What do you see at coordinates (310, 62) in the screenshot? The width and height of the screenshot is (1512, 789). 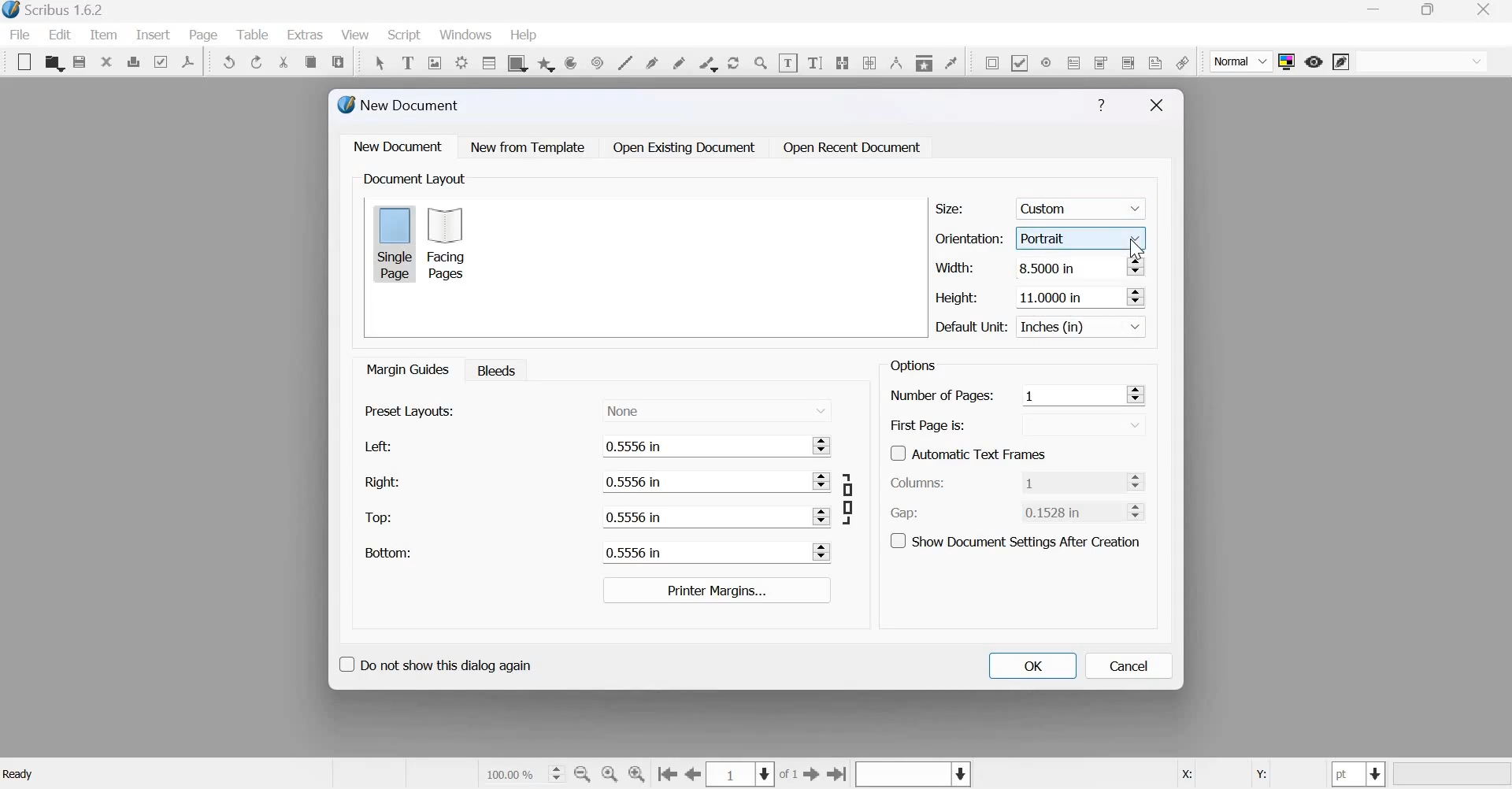 I see `copy` at bounding box center [310, 62].